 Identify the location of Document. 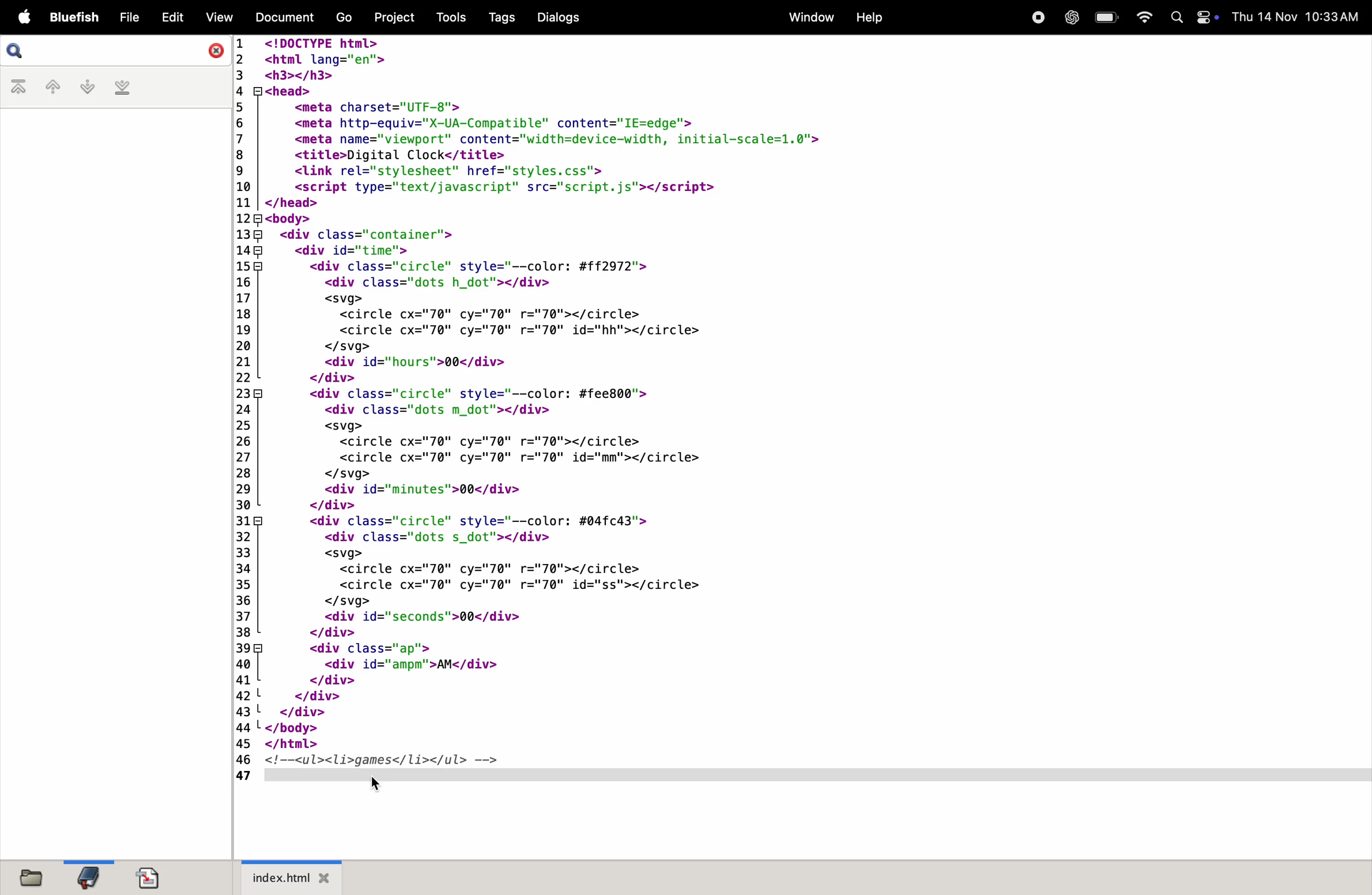
(287, 16).